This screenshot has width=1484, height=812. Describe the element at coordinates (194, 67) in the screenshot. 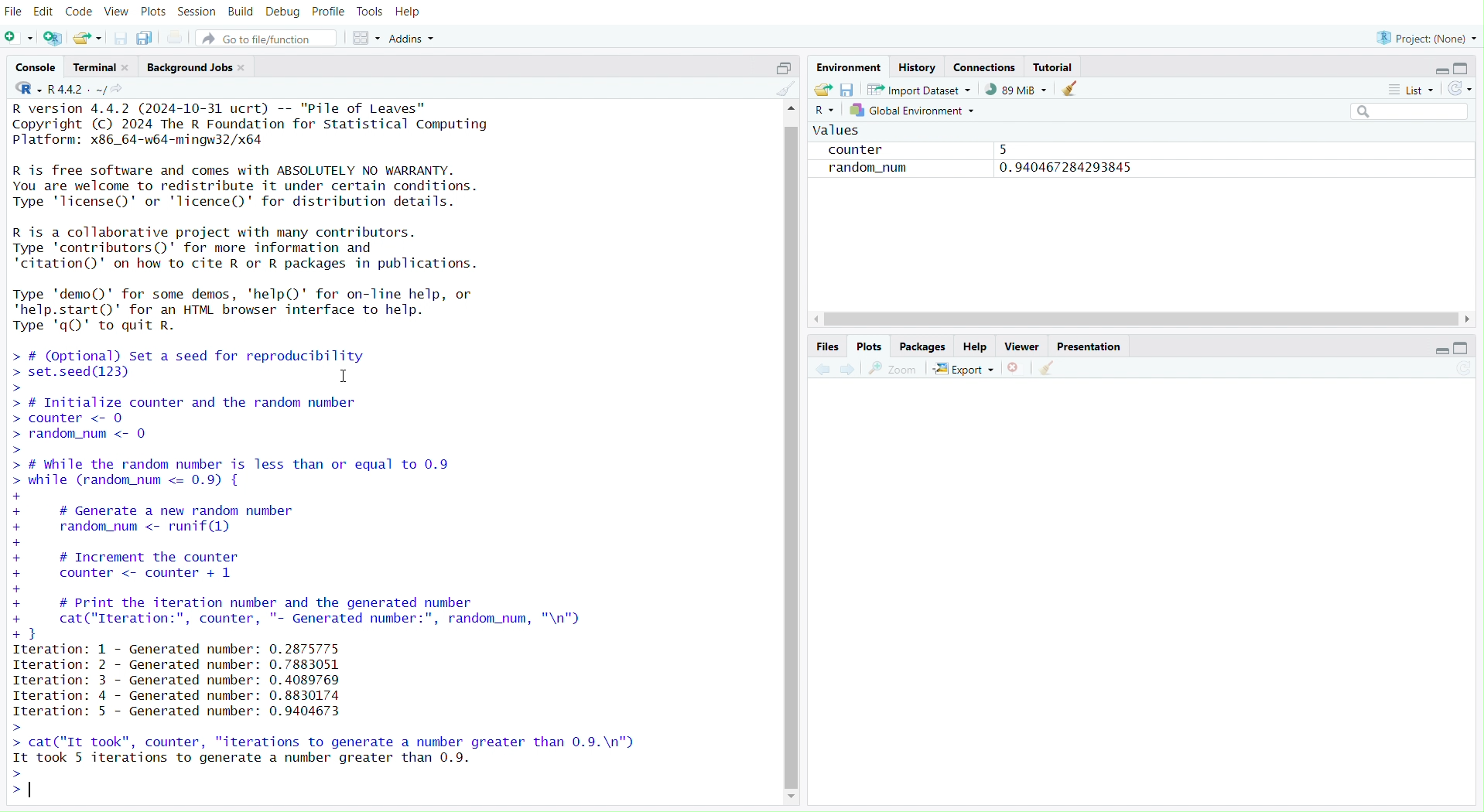

I see `Background Jobs` at that location.